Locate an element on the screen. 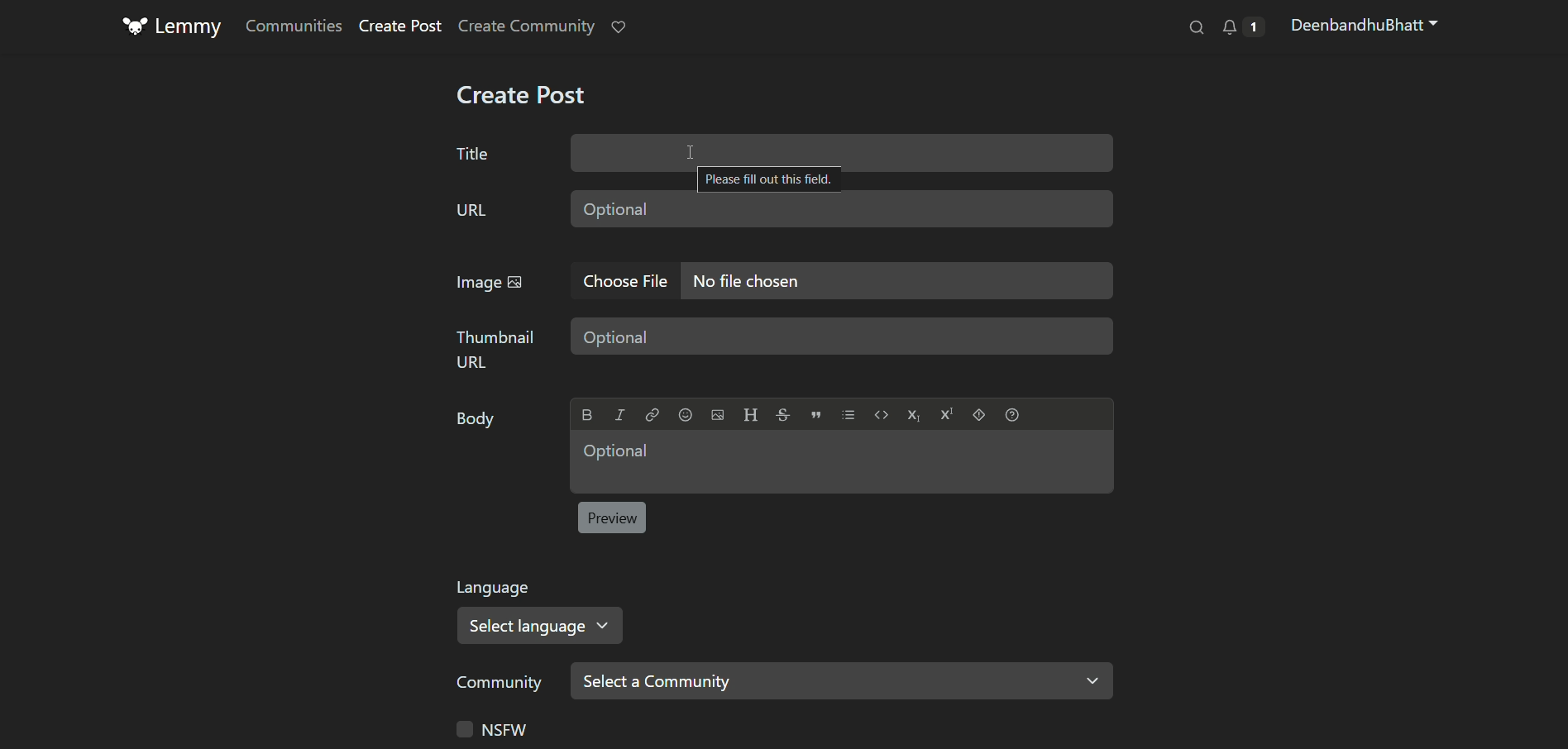  choose file is located at coordinates (625, 279).